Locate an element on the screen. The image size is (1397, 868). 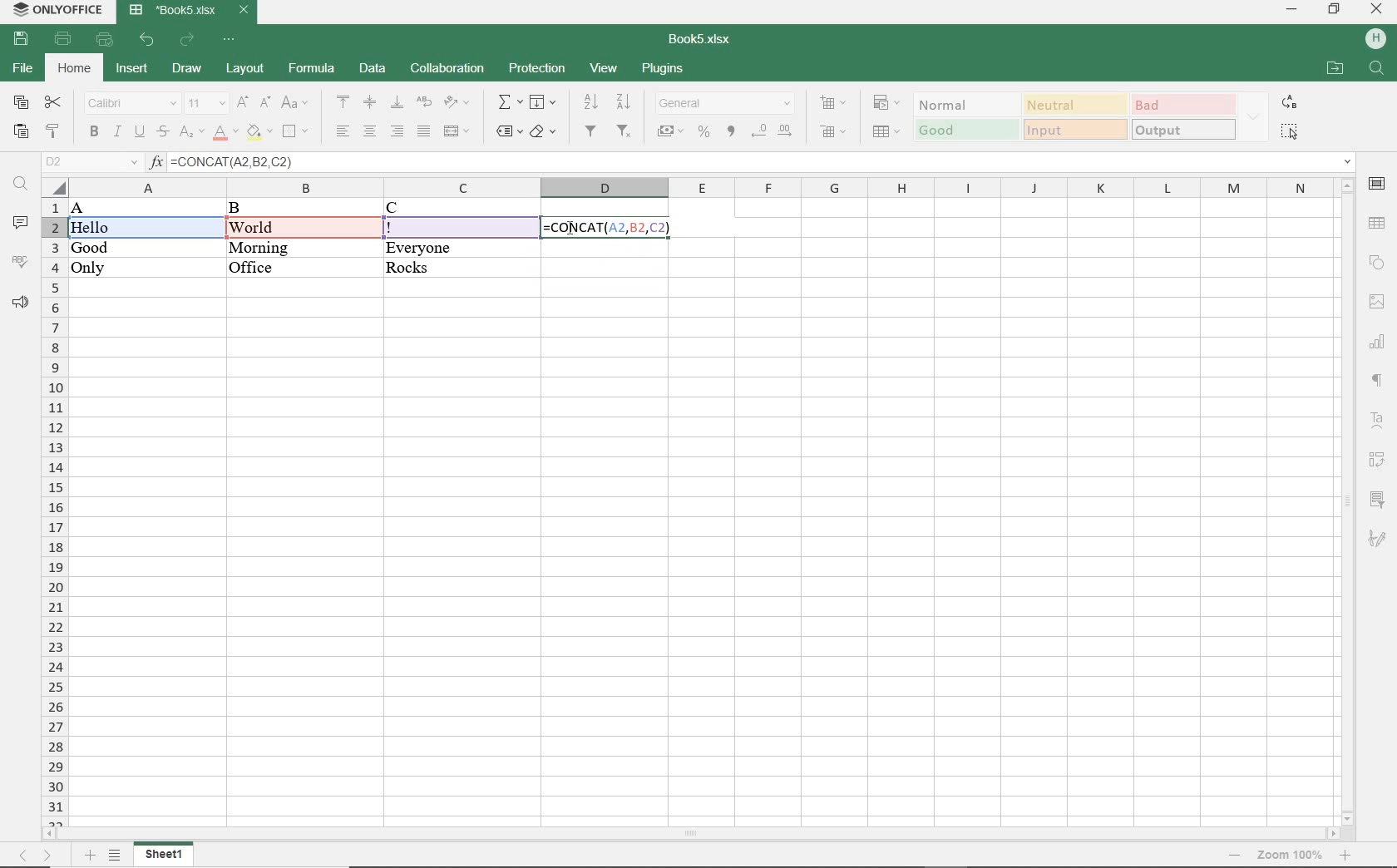
COPY STYLE is located at coordinates (54, 128).